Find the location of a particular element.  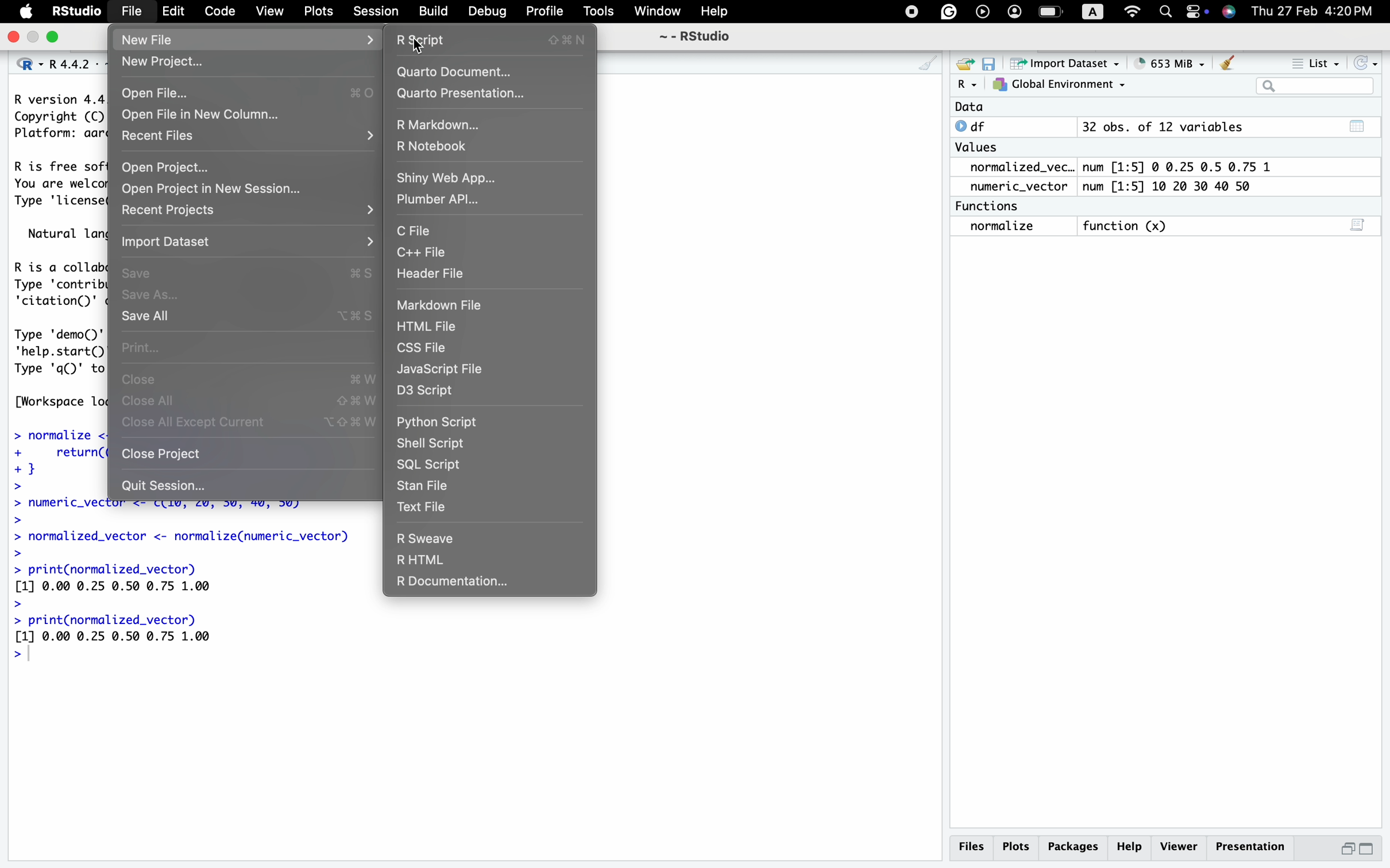

Data is located at coordinates (970, 107).